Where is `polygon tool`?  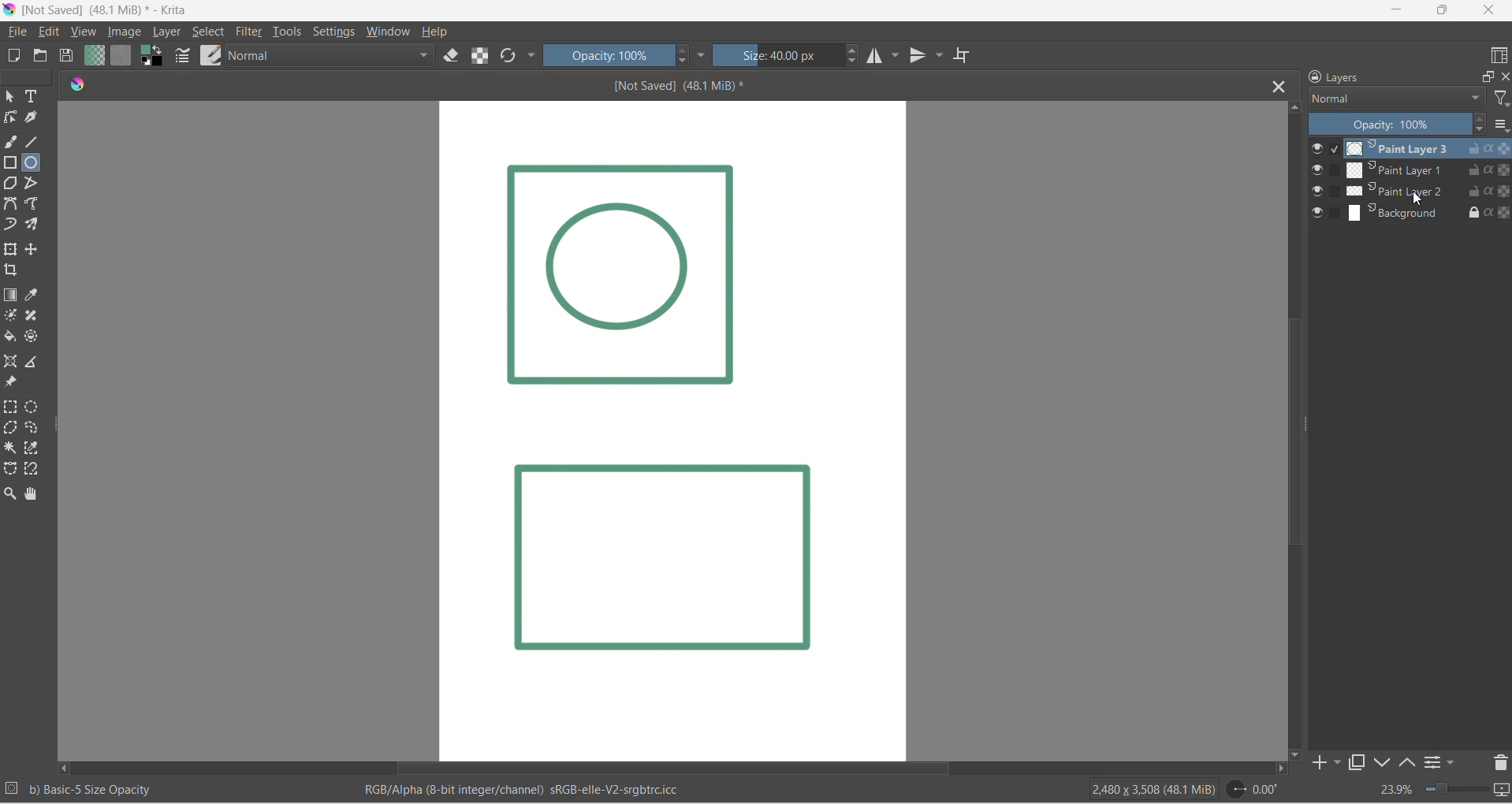
polygon tool is located at coordinates (13, 184).